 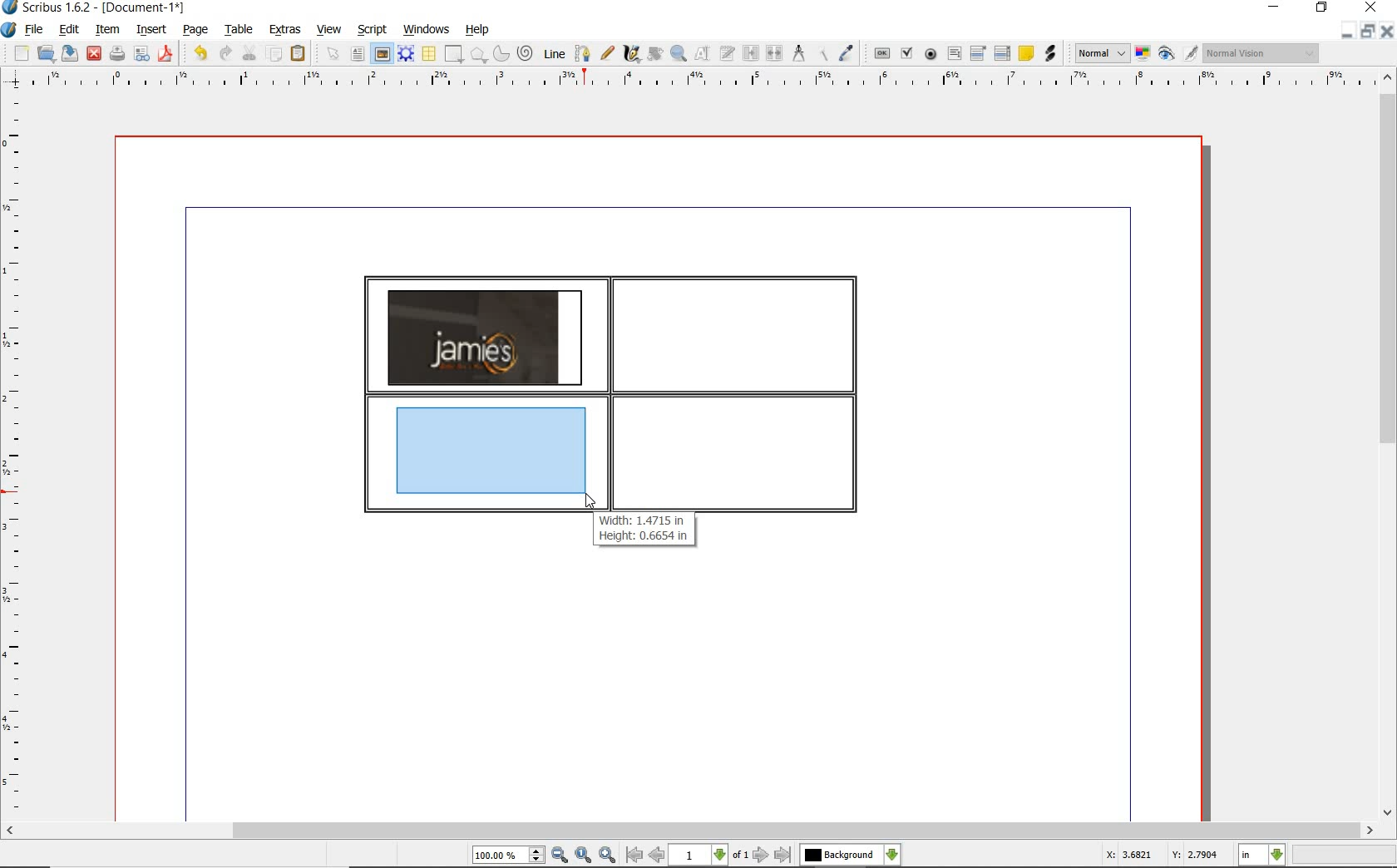 What do you see at coordinates (709, 855) in the screenshot?
I see `select current page level` at bounding box center [709, 855].